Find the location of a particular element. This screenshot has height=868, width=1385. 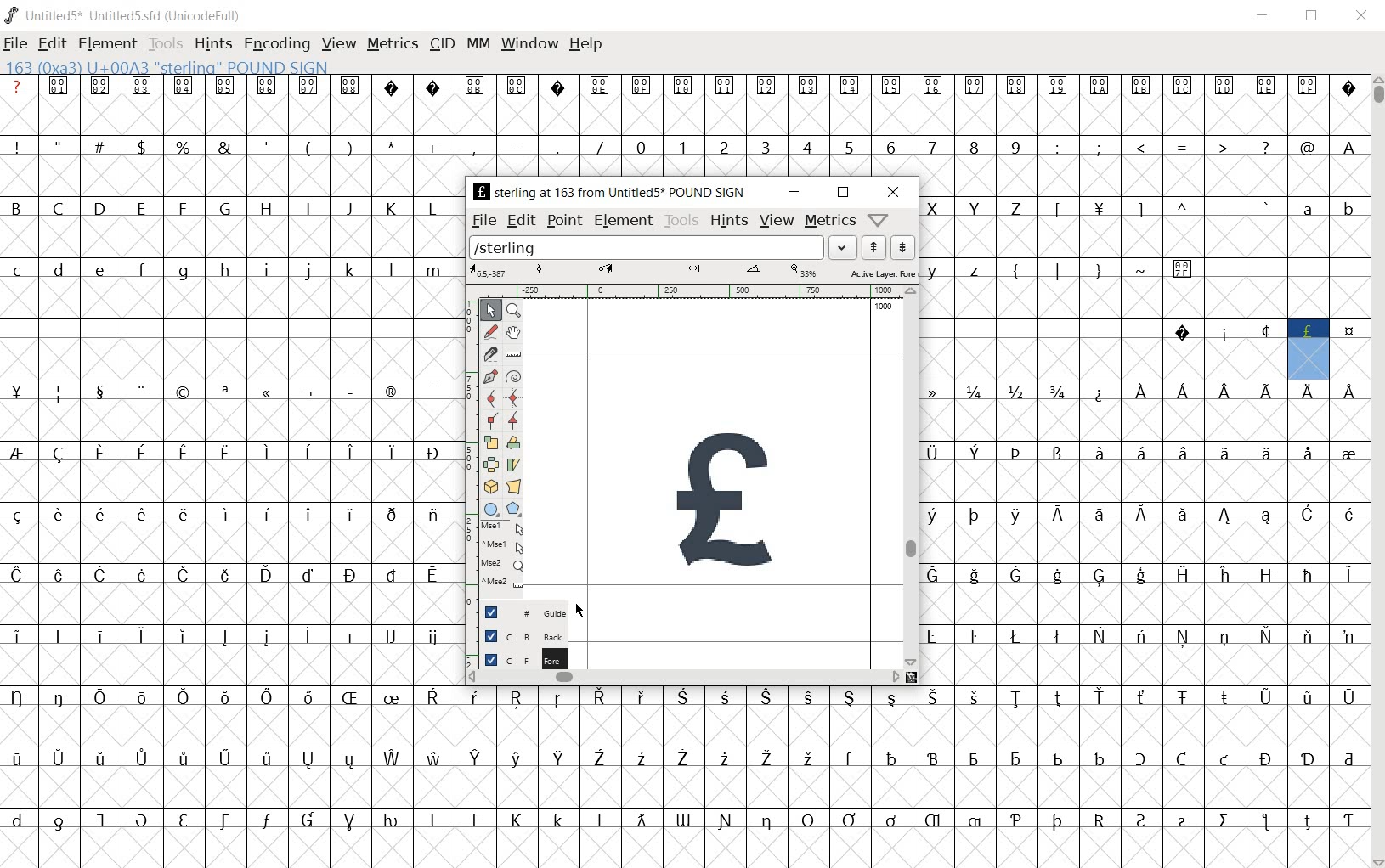

rotate is located at coordinates (517, 442).